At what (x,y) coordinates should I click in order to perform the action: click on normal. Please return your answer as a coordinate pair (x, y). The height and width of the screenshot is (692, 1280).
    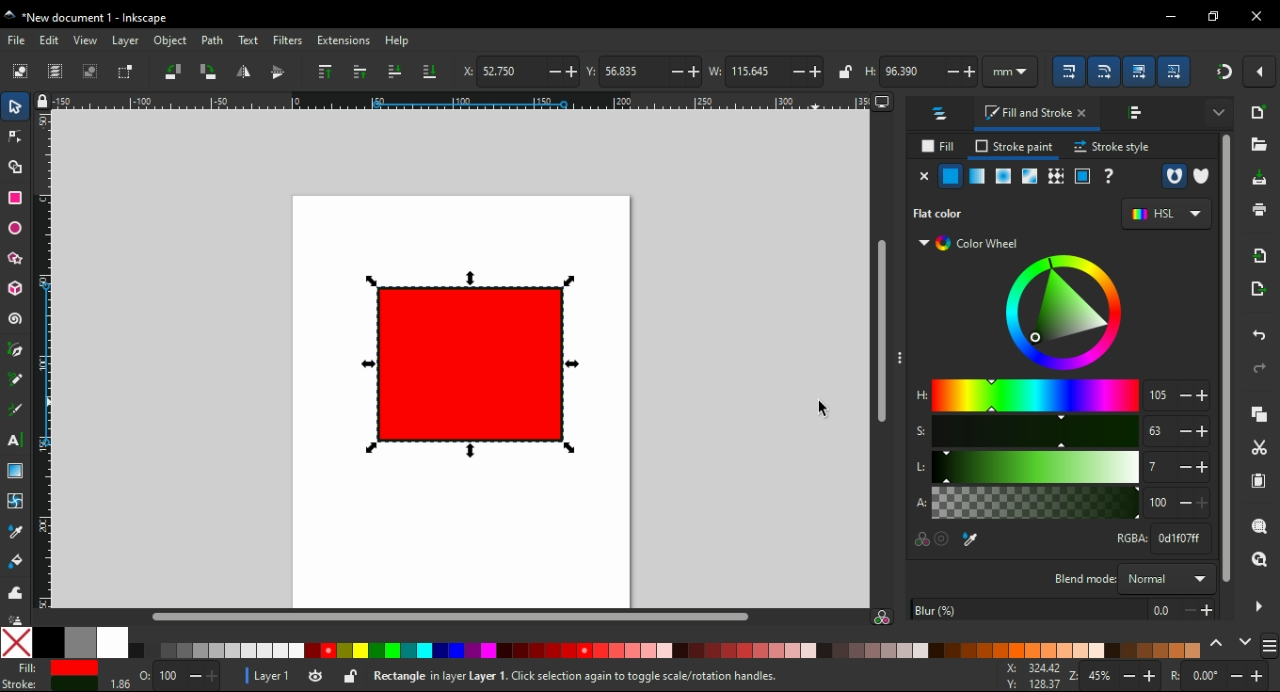
    Looking at the image, I should click on (1167, 578).